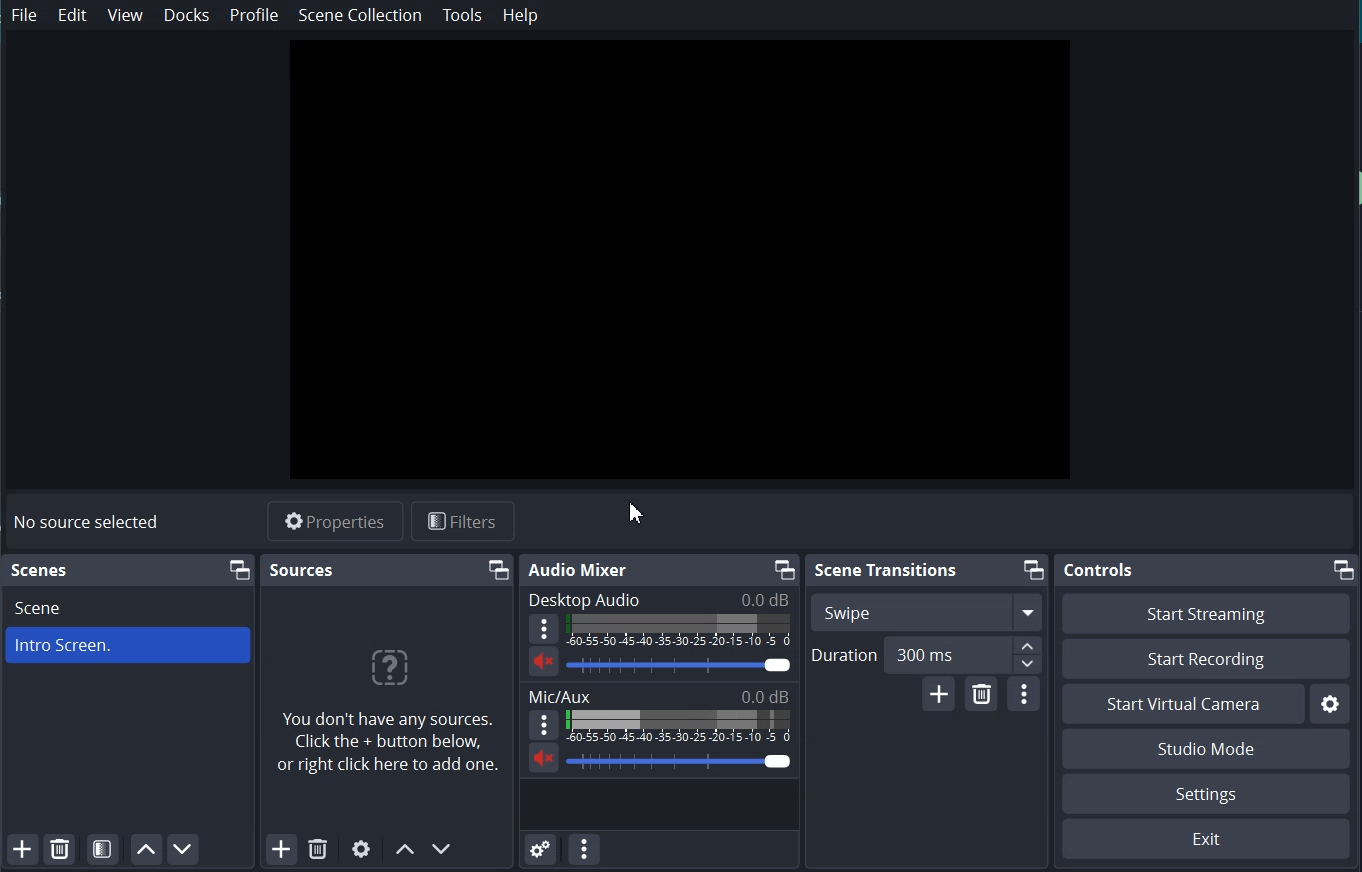  Describe the element at coordinates (679, 262) in the screenshot. I see `File preview window` at that location.